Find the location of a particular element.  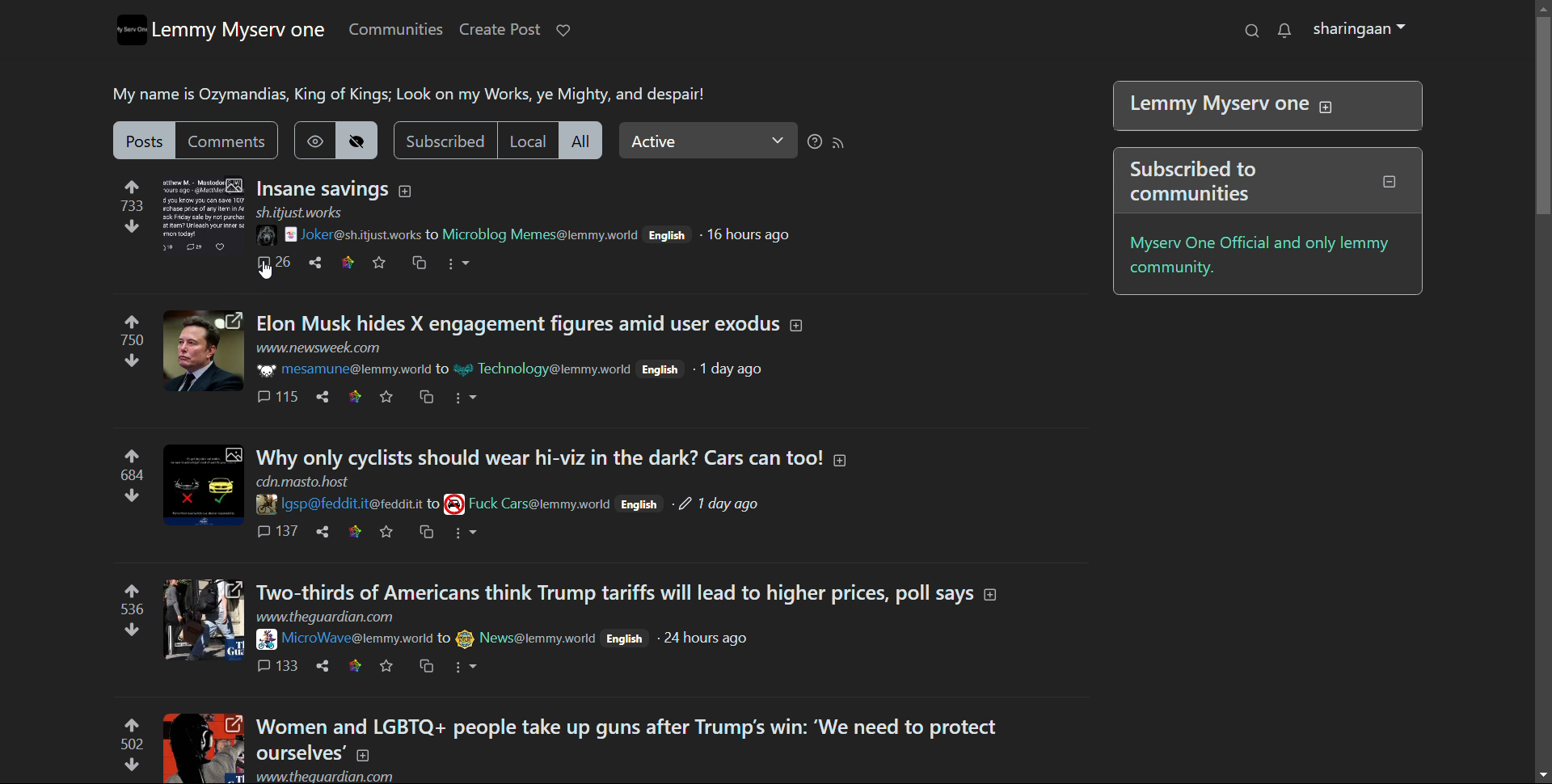

expand is located at coordinates (404, 192).